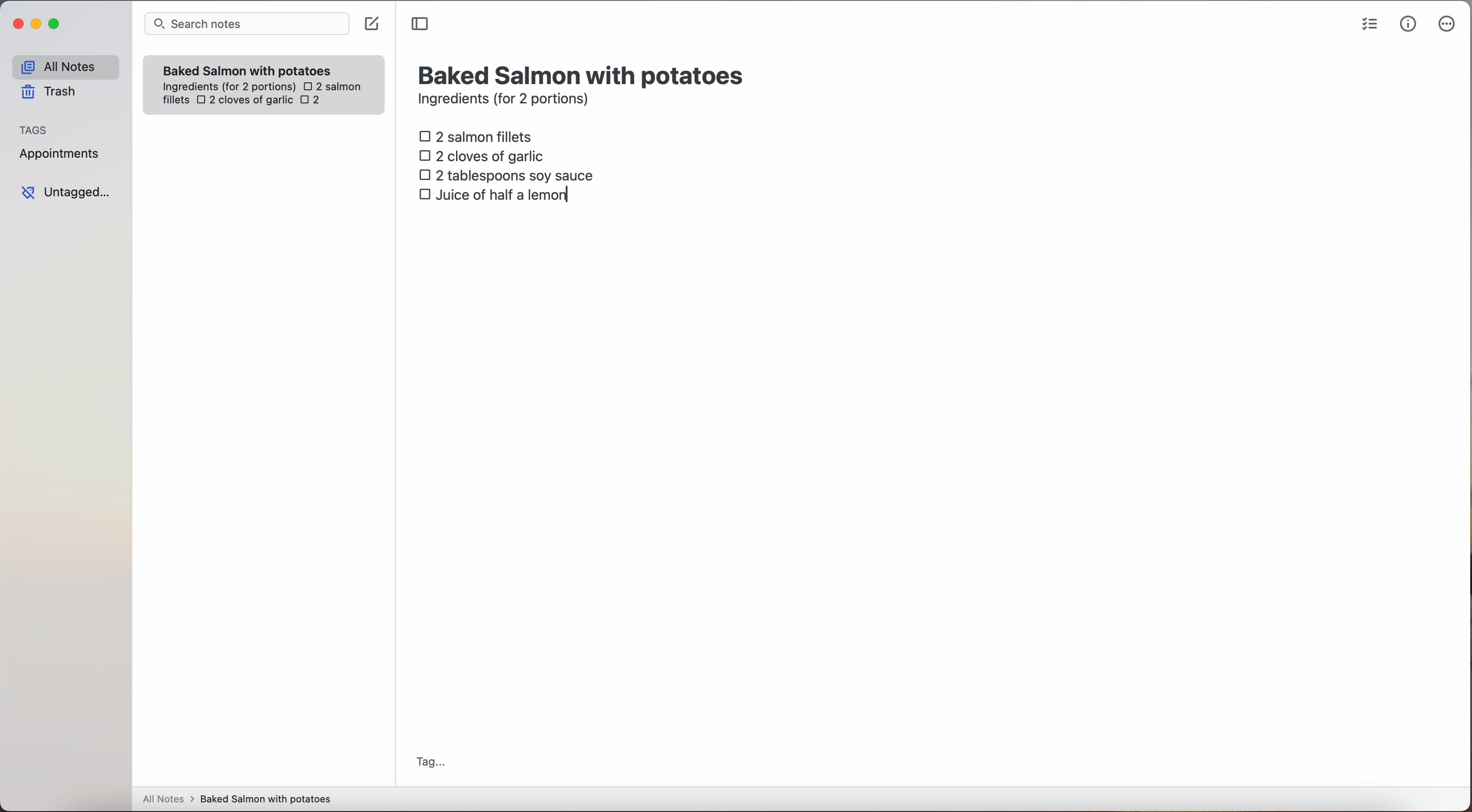 Image resolution: width=1472 pixels, height=812 pixels. Describe the element at coordinates (430, 763) in the screenshot. I see `tag` at that location.